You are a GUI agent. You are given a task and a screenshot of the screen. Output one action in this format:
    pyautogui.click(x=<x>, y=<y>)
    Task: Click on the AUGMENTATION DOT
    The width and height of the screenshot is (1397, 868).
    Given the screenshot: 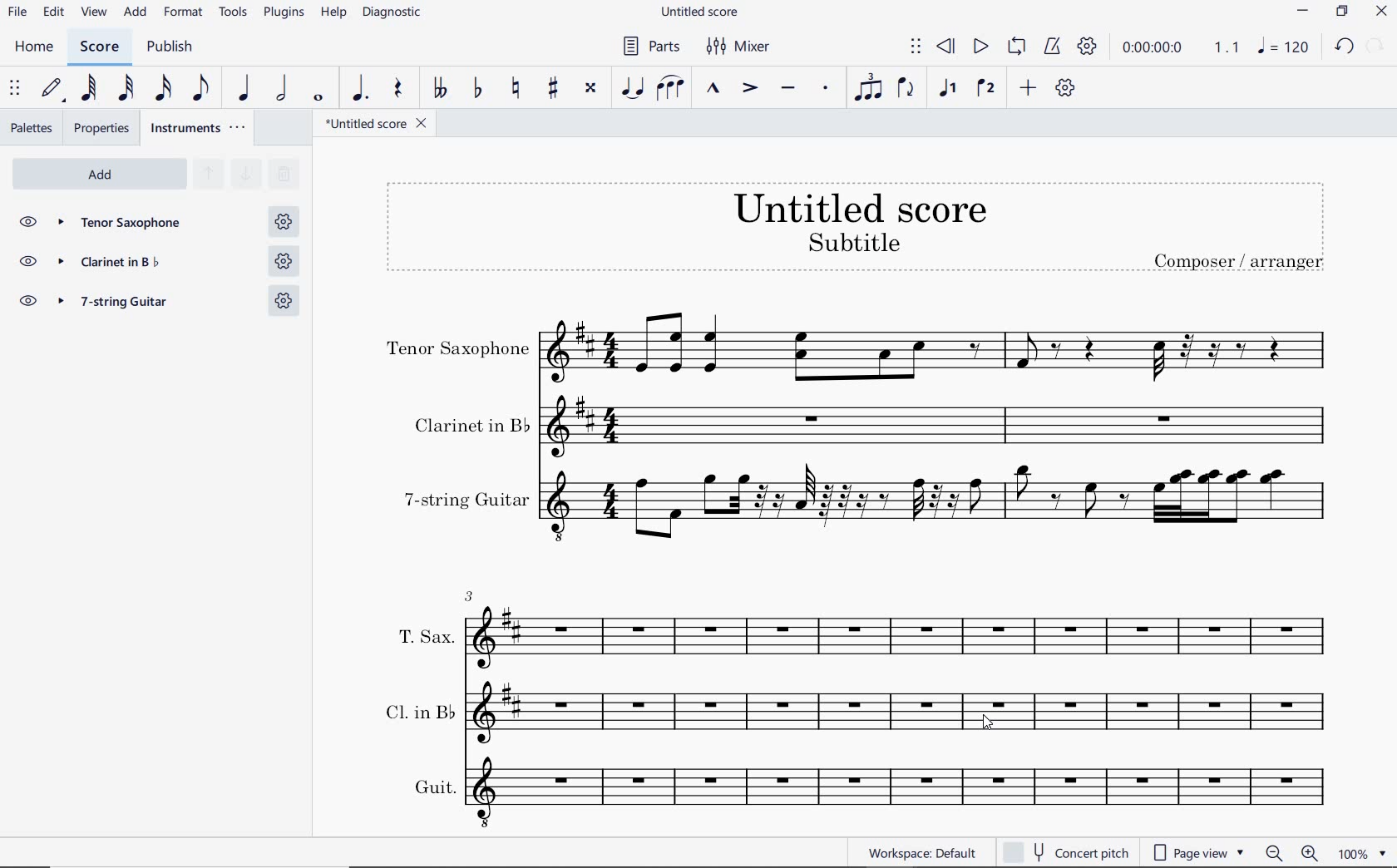 What is the action you would take?
    pyautogui.click(x=361, y=89)
    